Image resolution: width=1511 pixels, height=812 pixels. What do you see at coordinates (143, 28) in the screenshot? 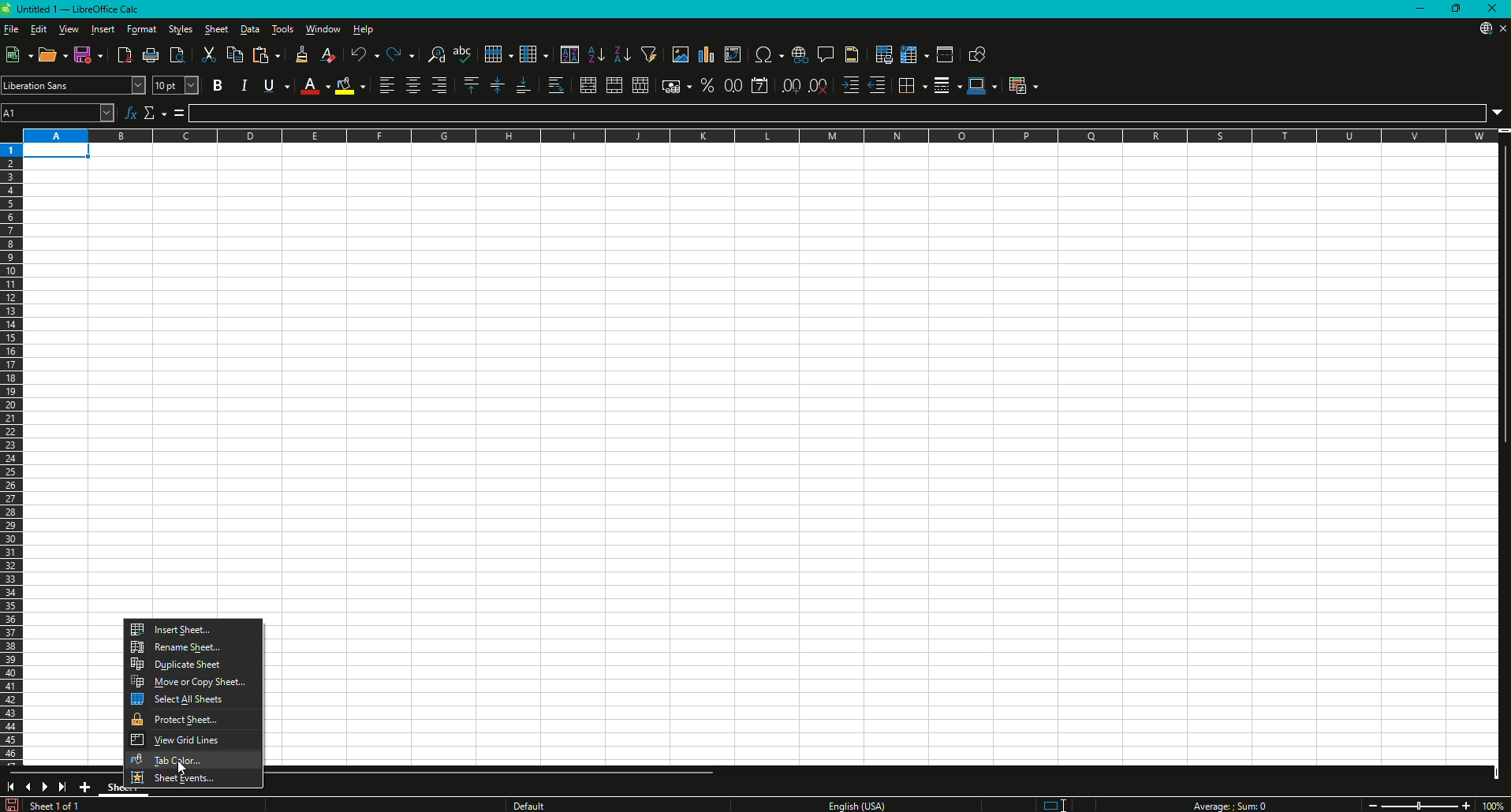
I see `Format` at bounding box center [143, 28].